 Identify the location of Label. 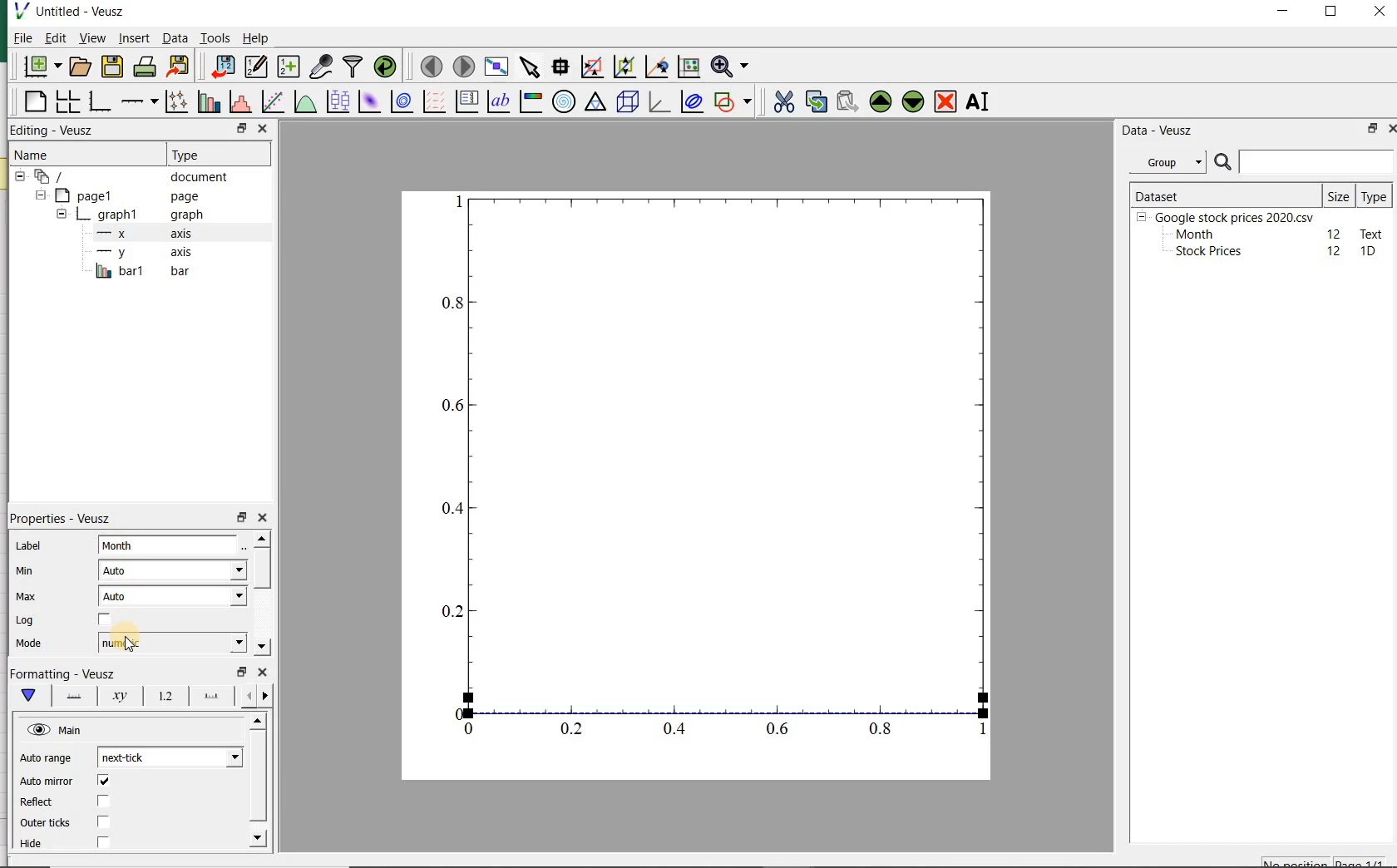
(31, 547).